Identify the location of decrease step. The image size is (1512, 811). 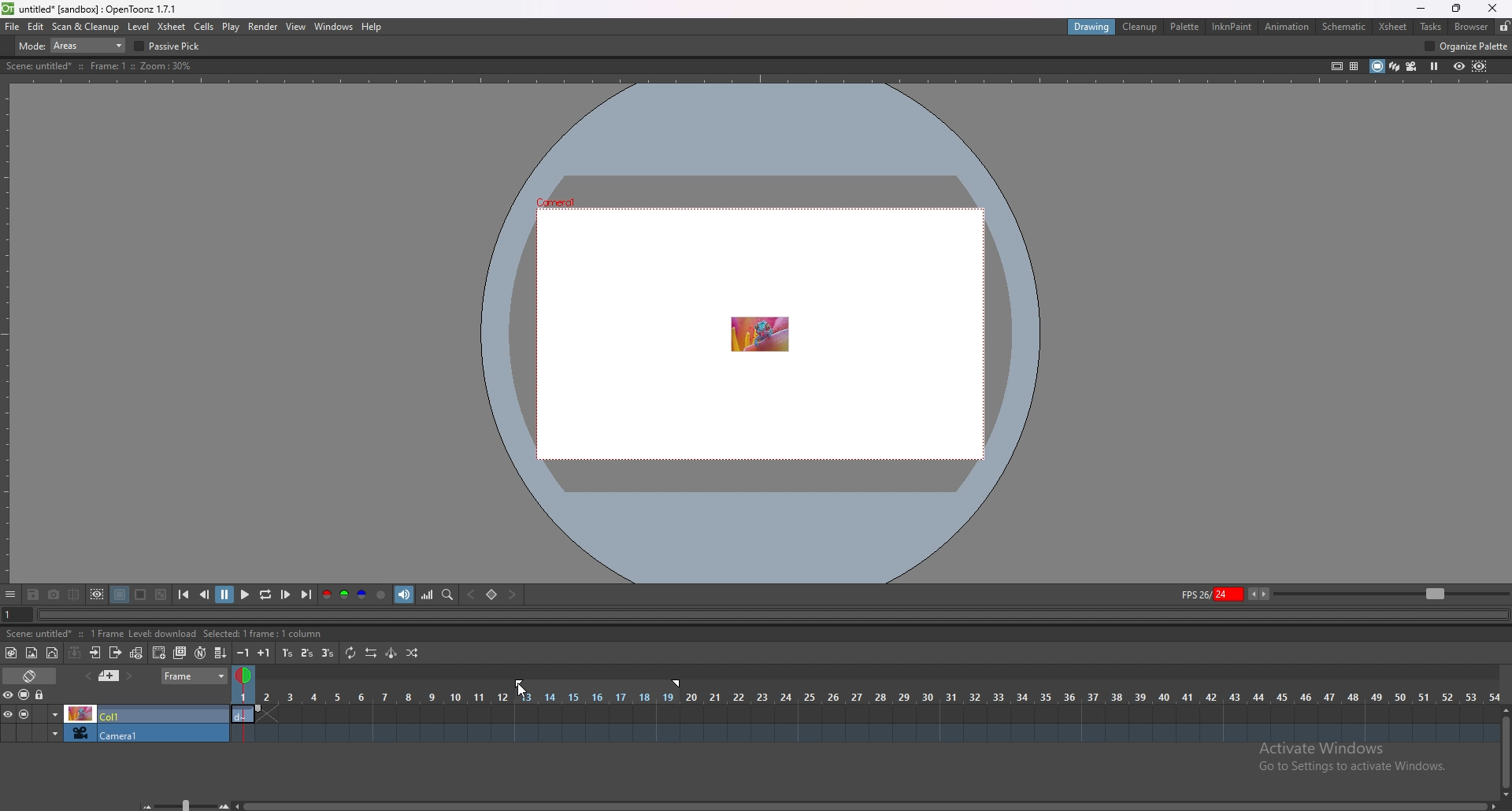
(243, 653).